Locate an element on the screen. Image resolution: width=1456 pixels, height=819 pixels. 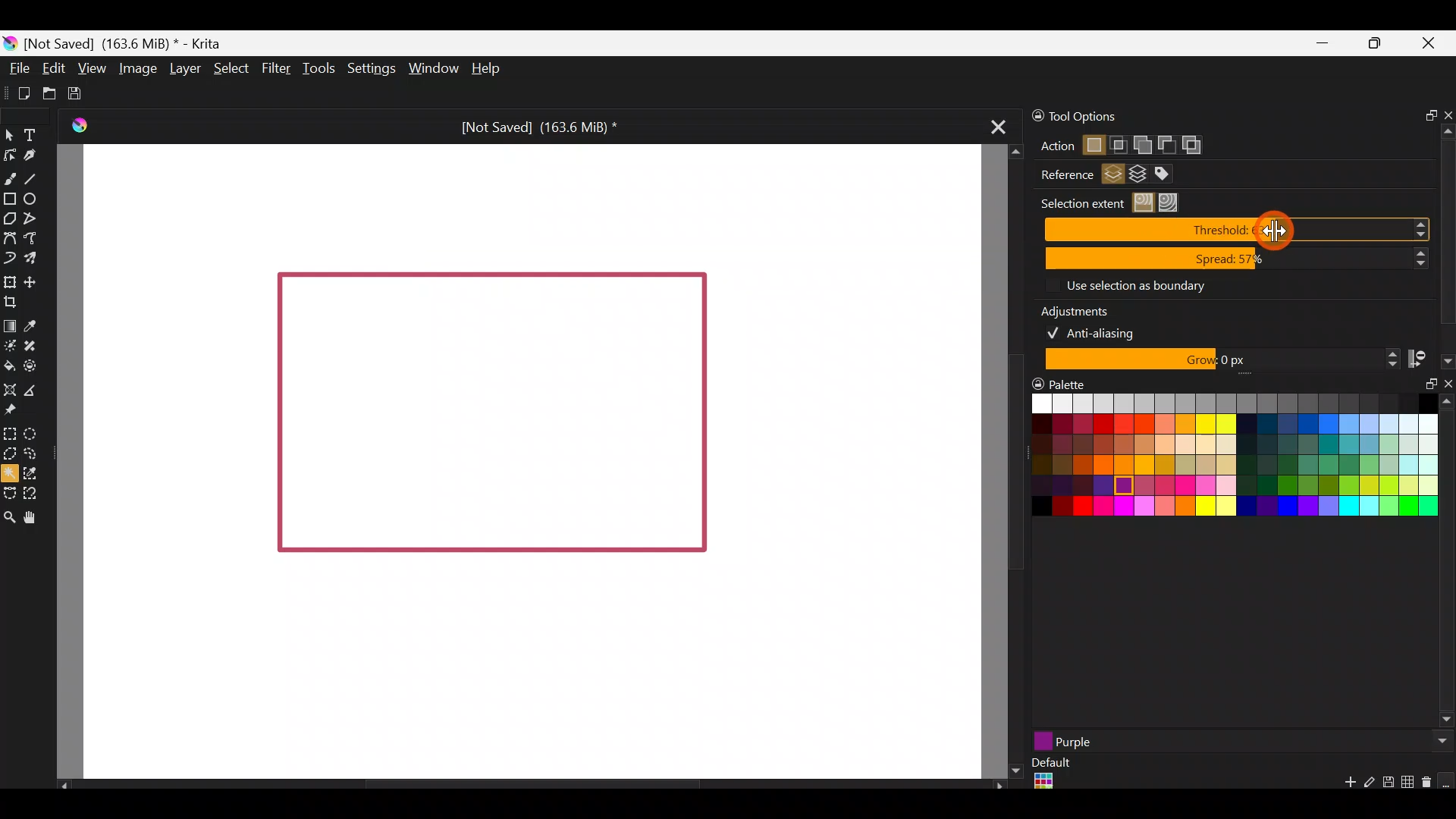
Ellipse tool is located at coordinates (36, 198).